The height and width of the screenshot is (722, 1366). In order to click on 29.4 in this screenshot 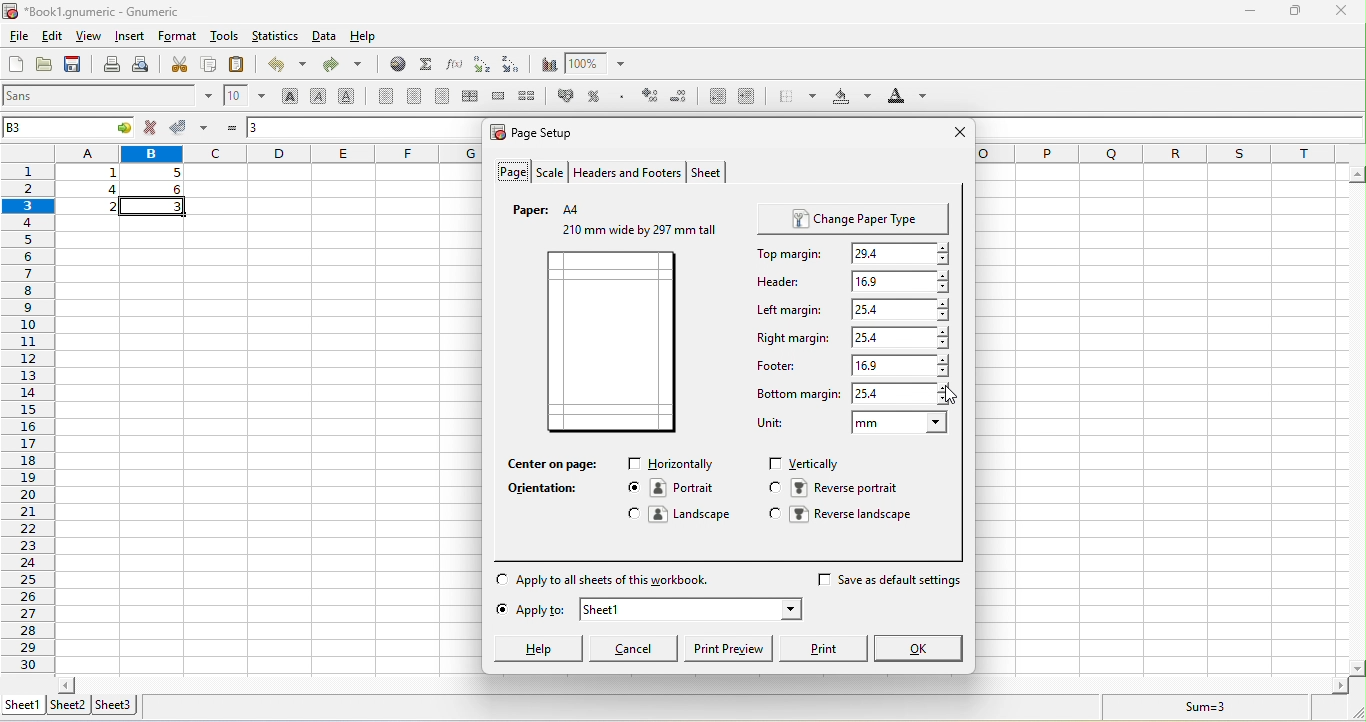, I will do `click(904, 254)`.